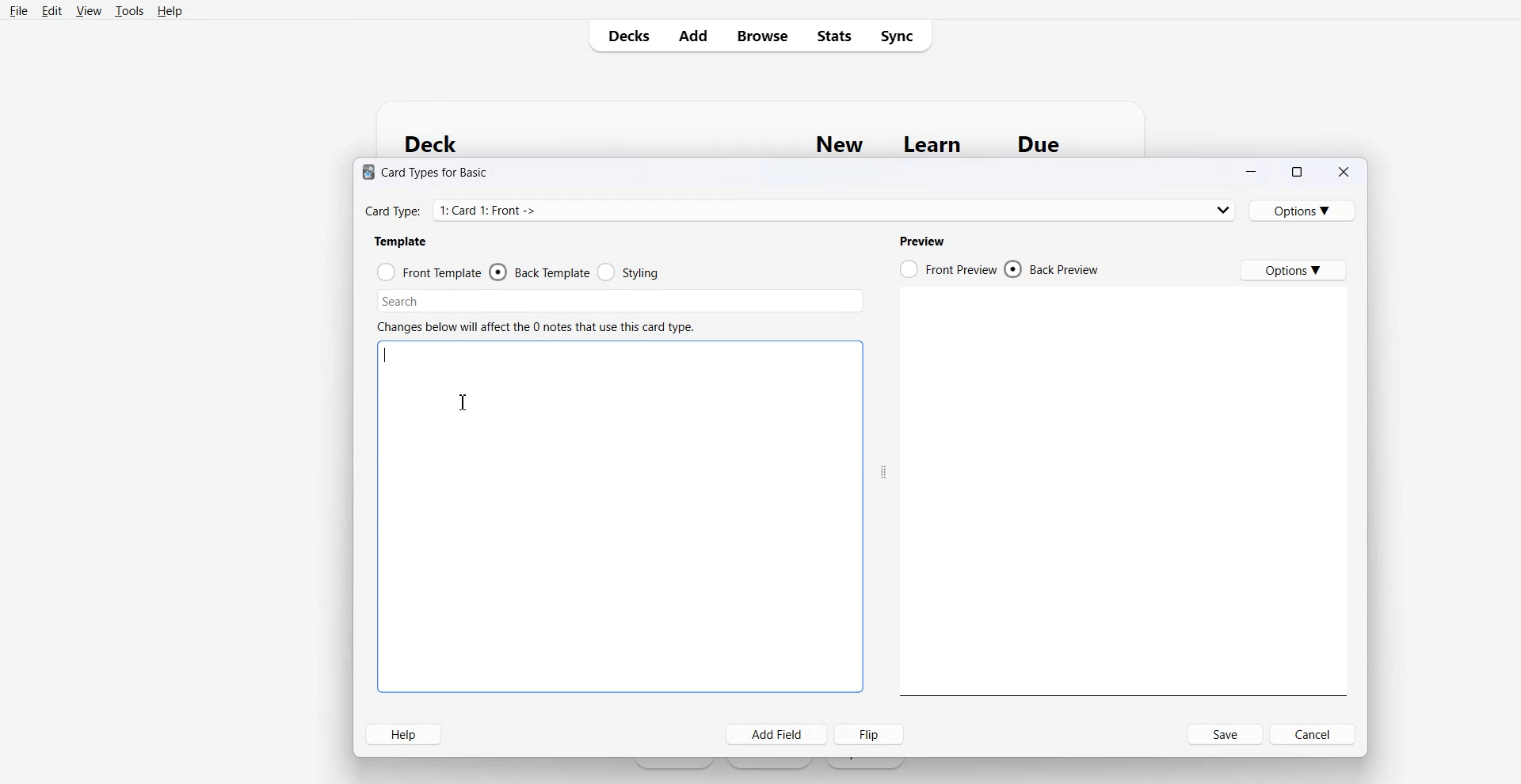 The width and height of the screenshot is (1521, 784). What do you see at coordinates (840, 144) in the screenshot?
I see `New` at bounding box center [840, 144].